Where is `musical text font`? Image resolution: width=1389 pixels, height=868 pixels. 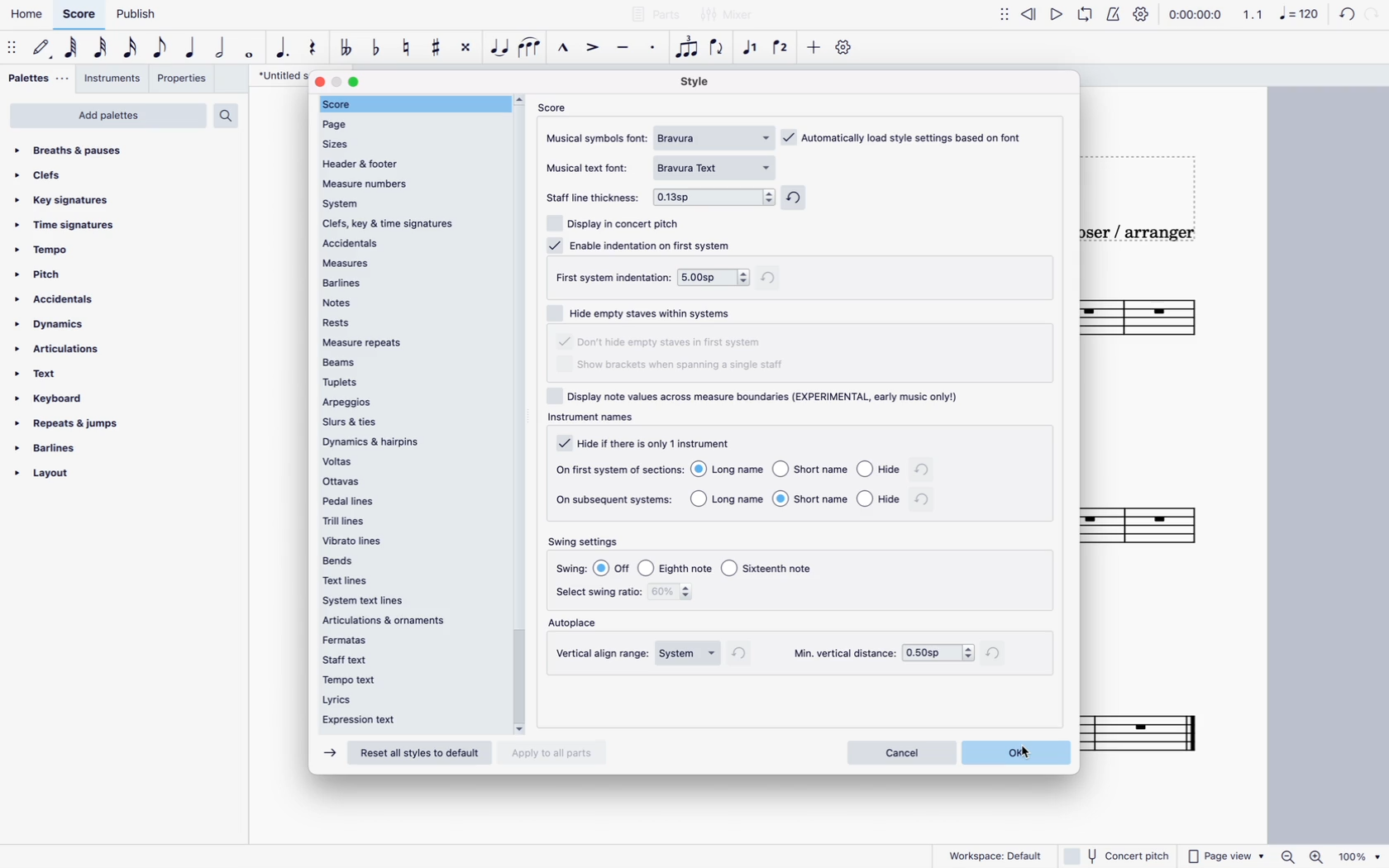
musical text font is located at coordinates (593, 167).